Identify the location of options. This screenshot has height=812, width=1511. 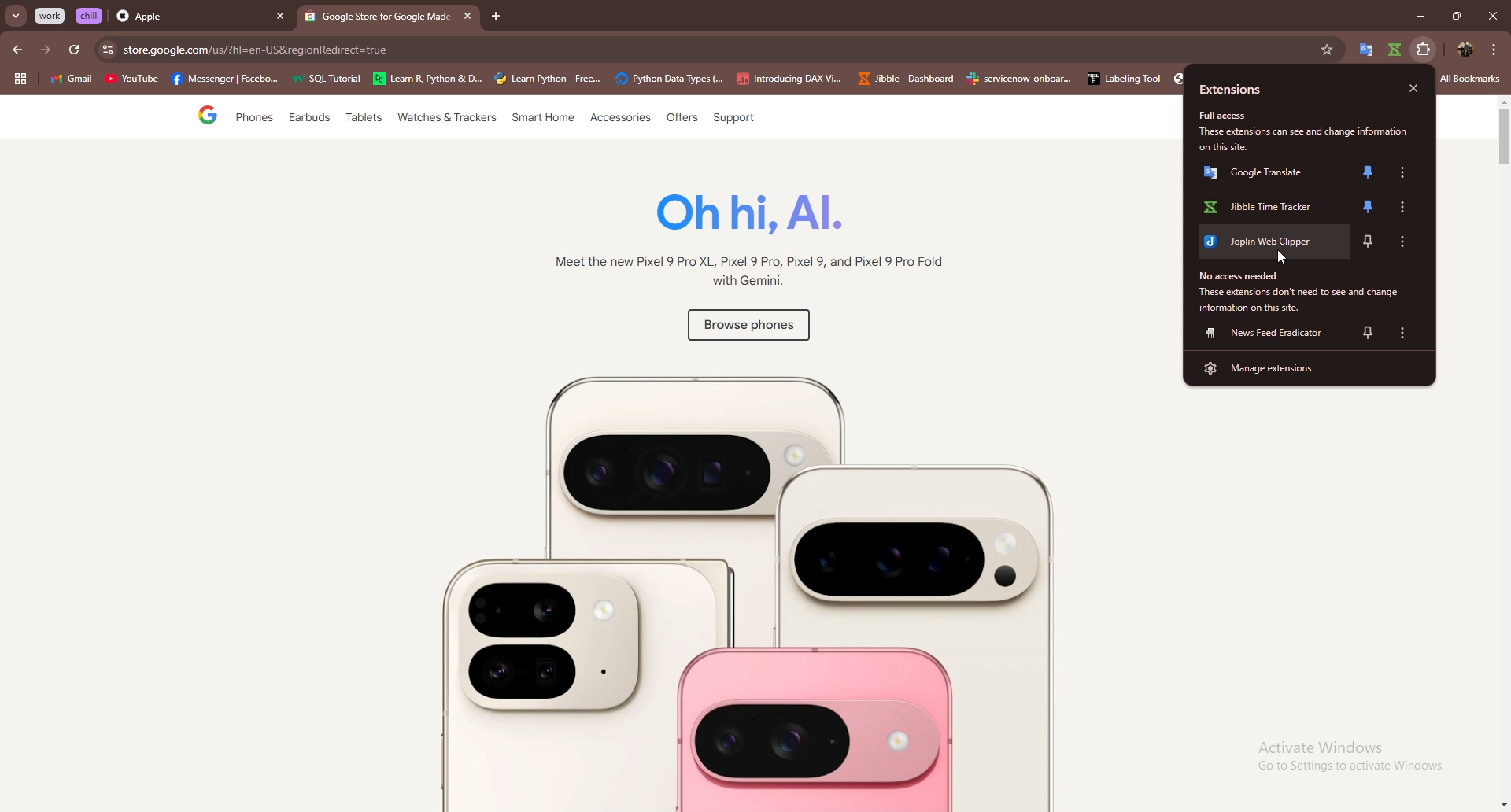
(1402, 172).